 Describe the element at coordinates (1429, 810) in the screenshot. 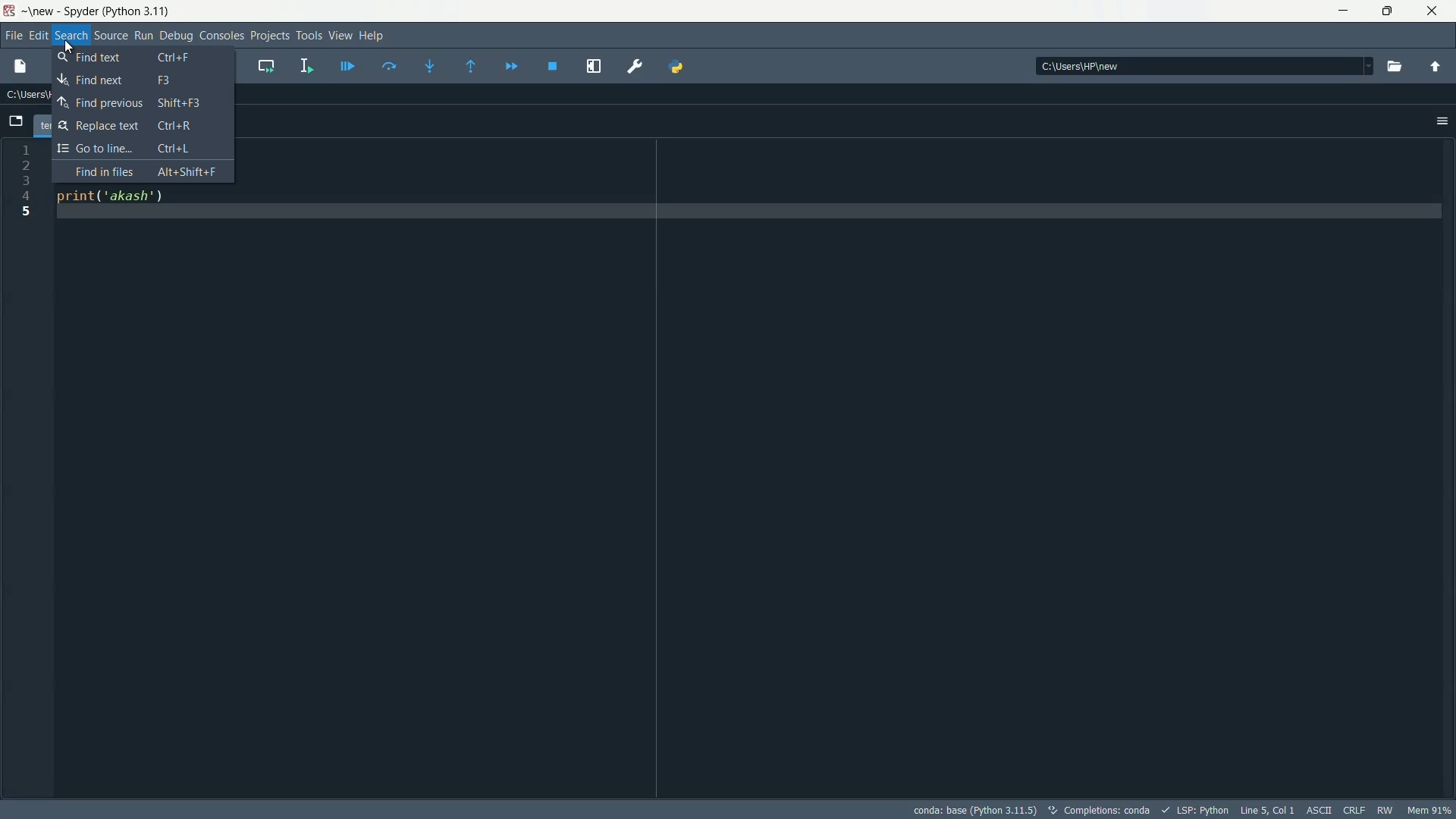

I see `memory usage: 63%` at that location.